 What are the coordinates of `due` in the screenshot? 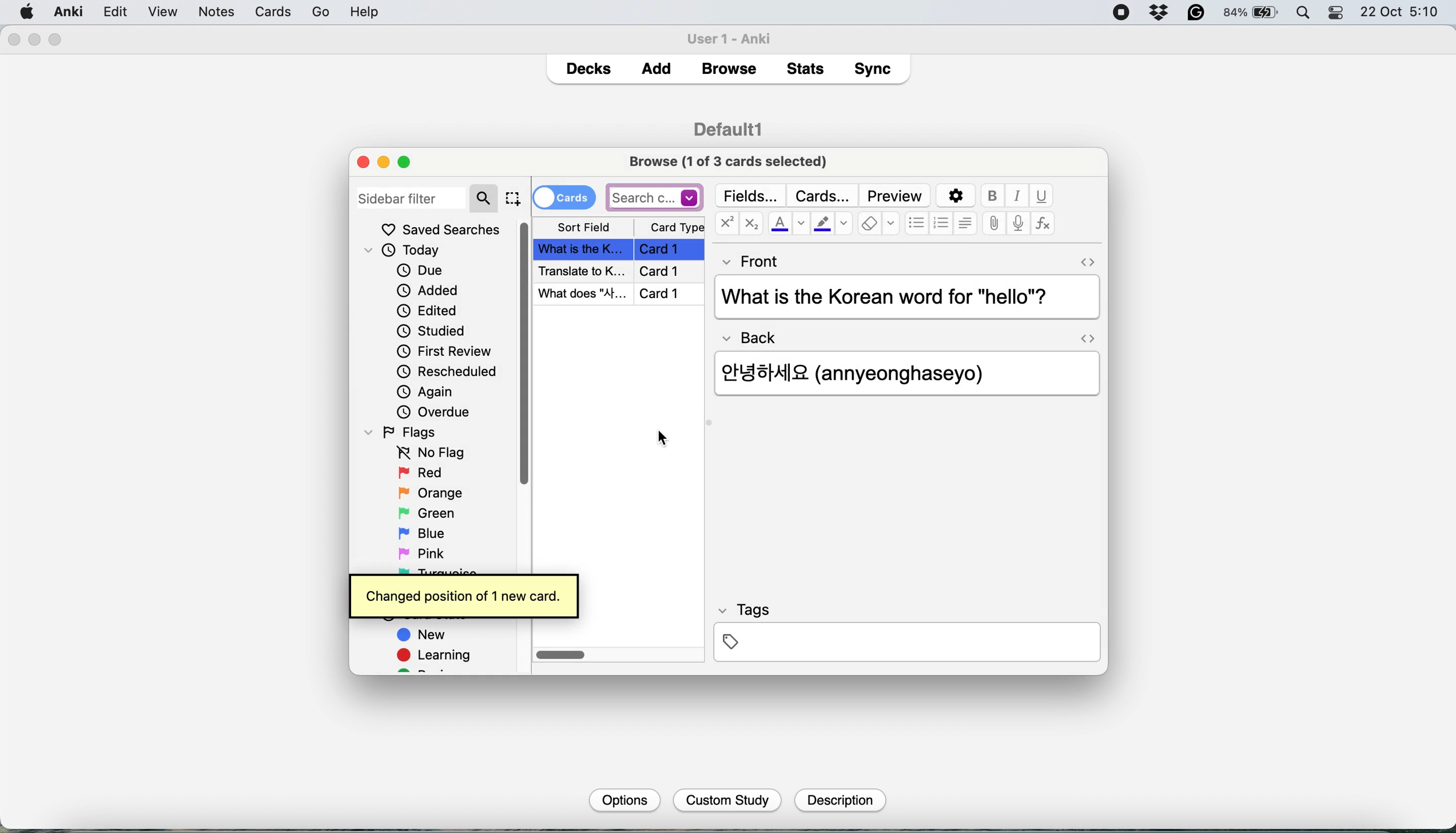 It's located at (420, 270).